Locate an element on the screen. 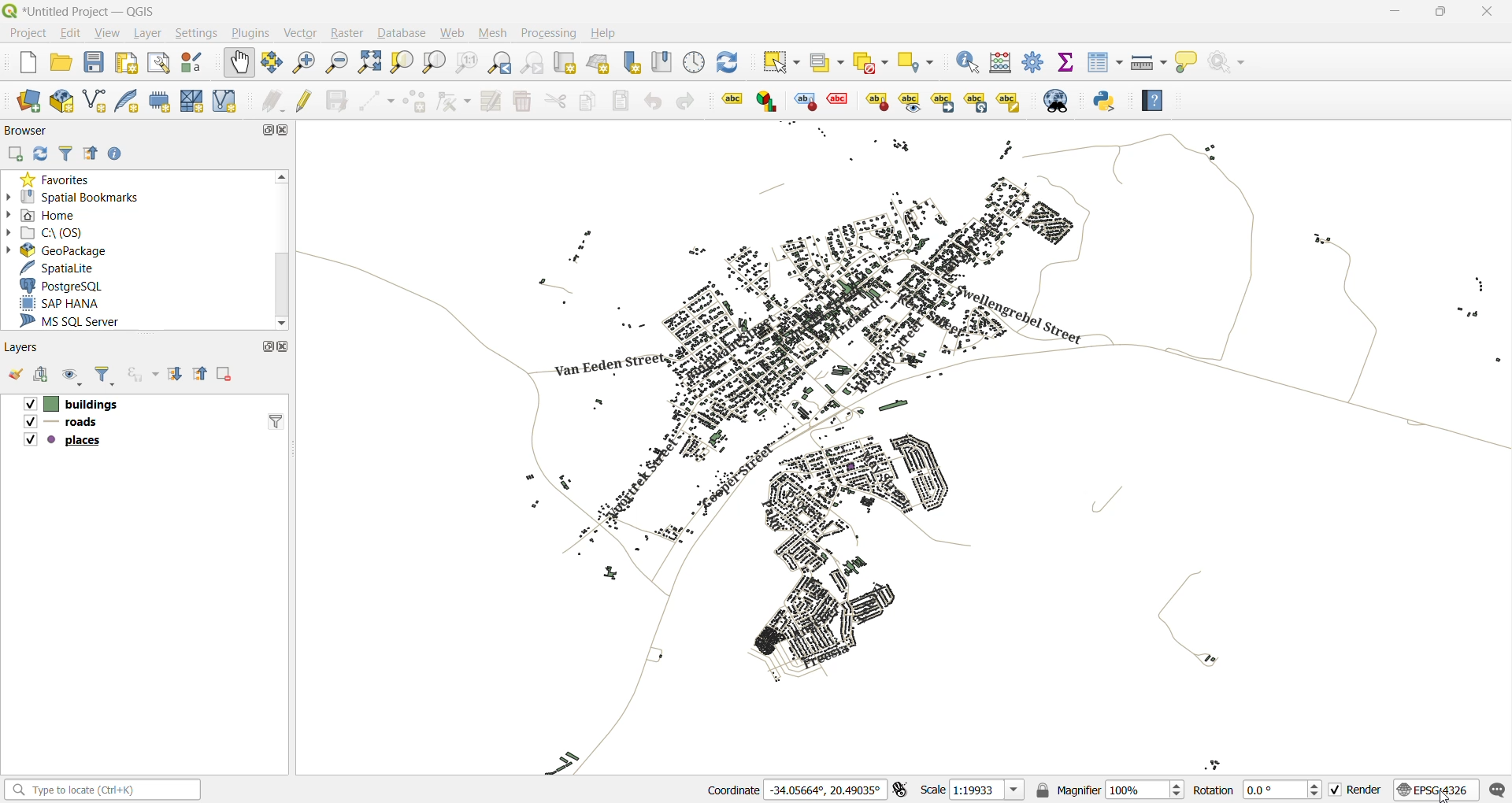  show/hide labels and diagrams is located at coordinates (910, 101).